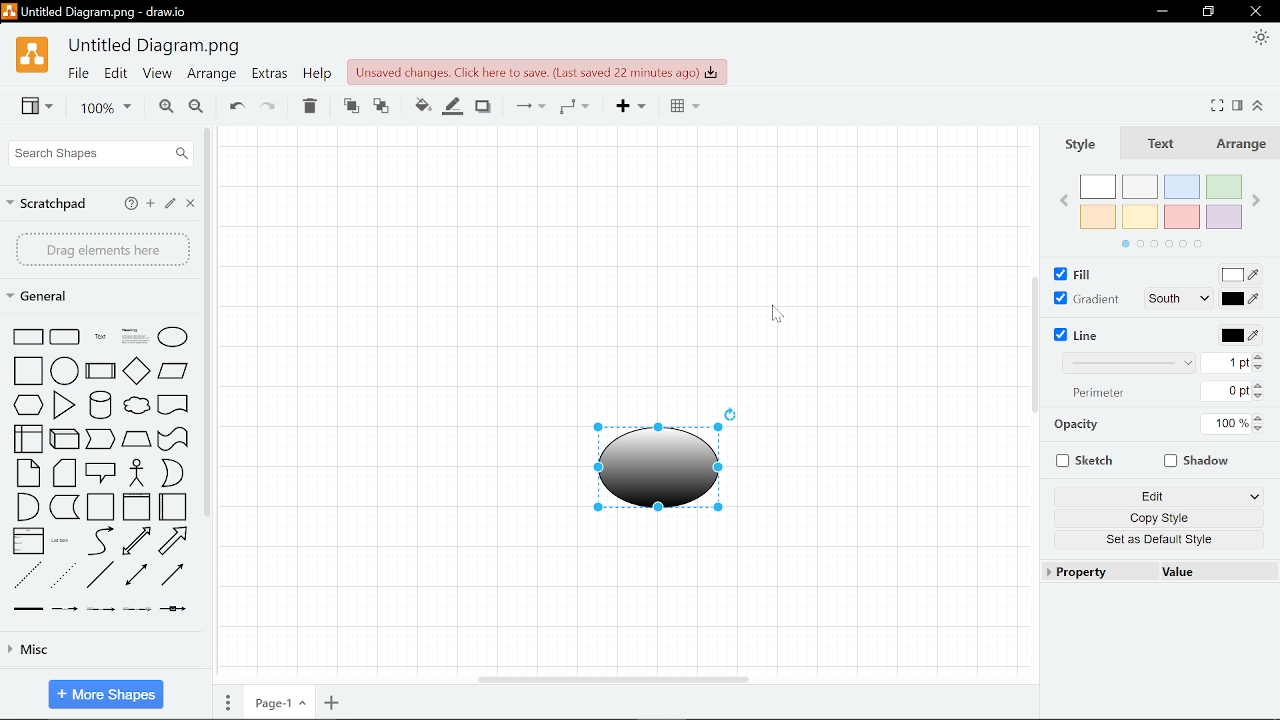 This screenshot has height=720, width=1280. Describe the element at coordinates (159, 73) in the screenshot. I see `View` at that location.